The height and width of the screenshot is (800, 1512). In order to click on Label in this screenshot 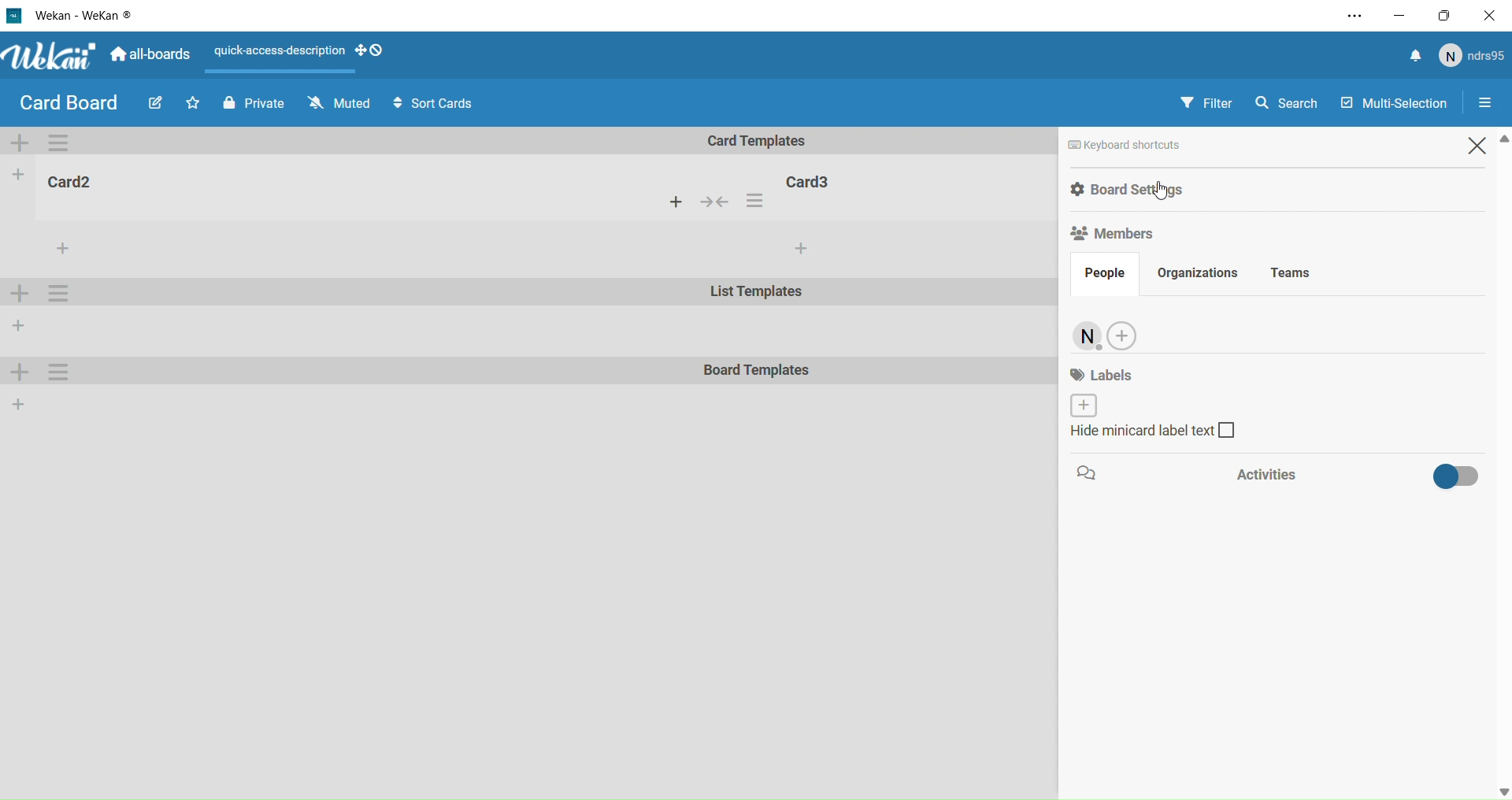, I will do `click(1106, 388)`.